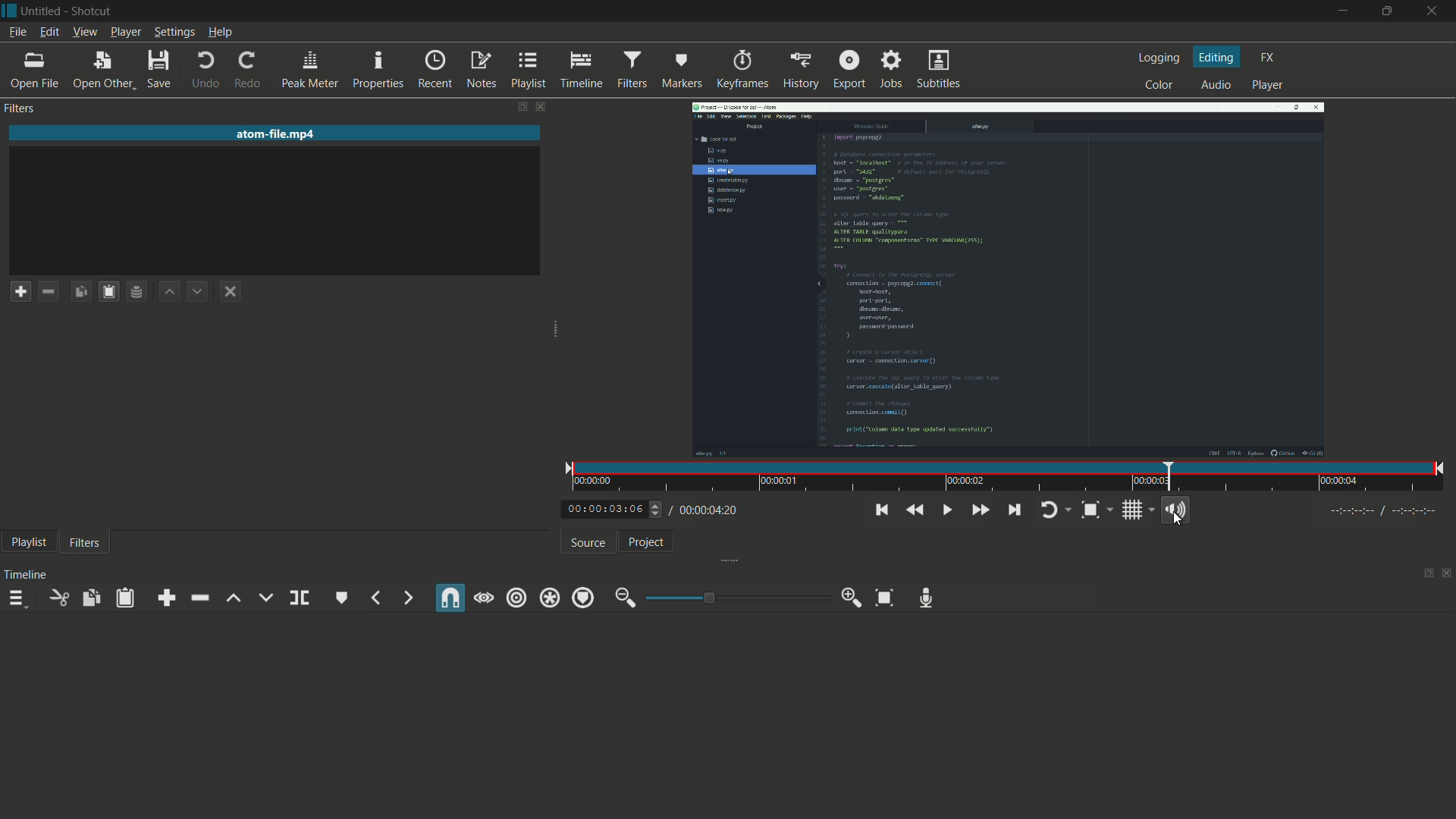 This screenshot has width=1456, height=819. What do you see at coordinates (642, 542) in the screenshot?
I see `project` at bounding box center [642, 542].